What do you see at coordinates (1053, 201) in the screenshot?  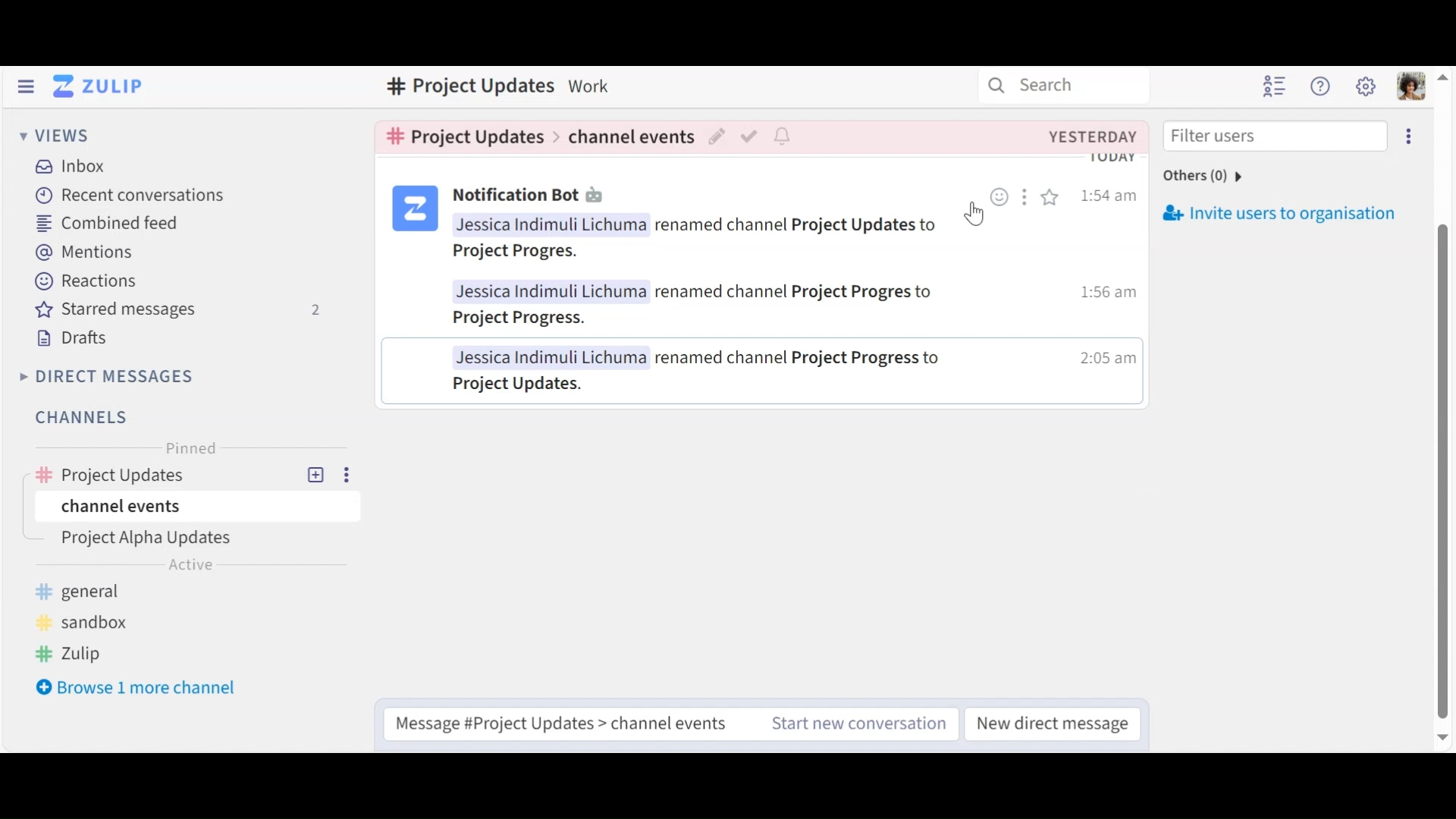 I see `Star message` at bounding box center [1053, 201].